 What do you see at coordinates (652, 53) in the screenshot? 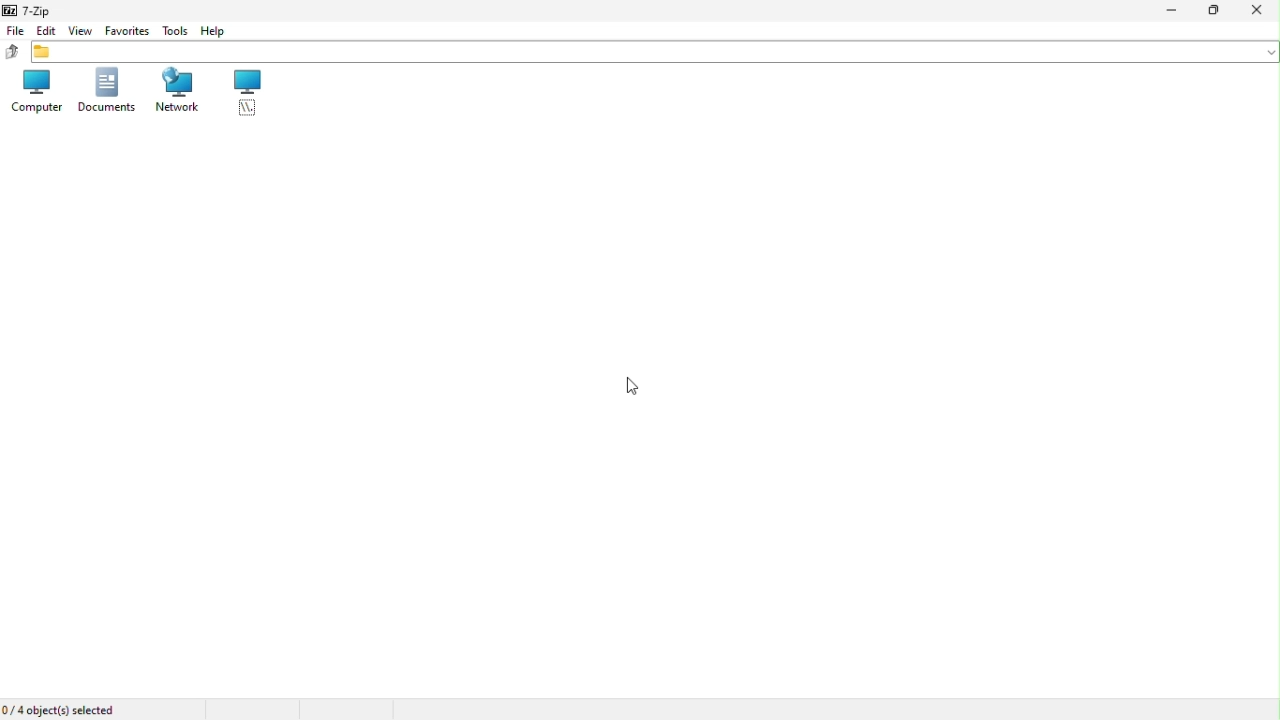
I see `File address bar` at bounding box center [652, 53].